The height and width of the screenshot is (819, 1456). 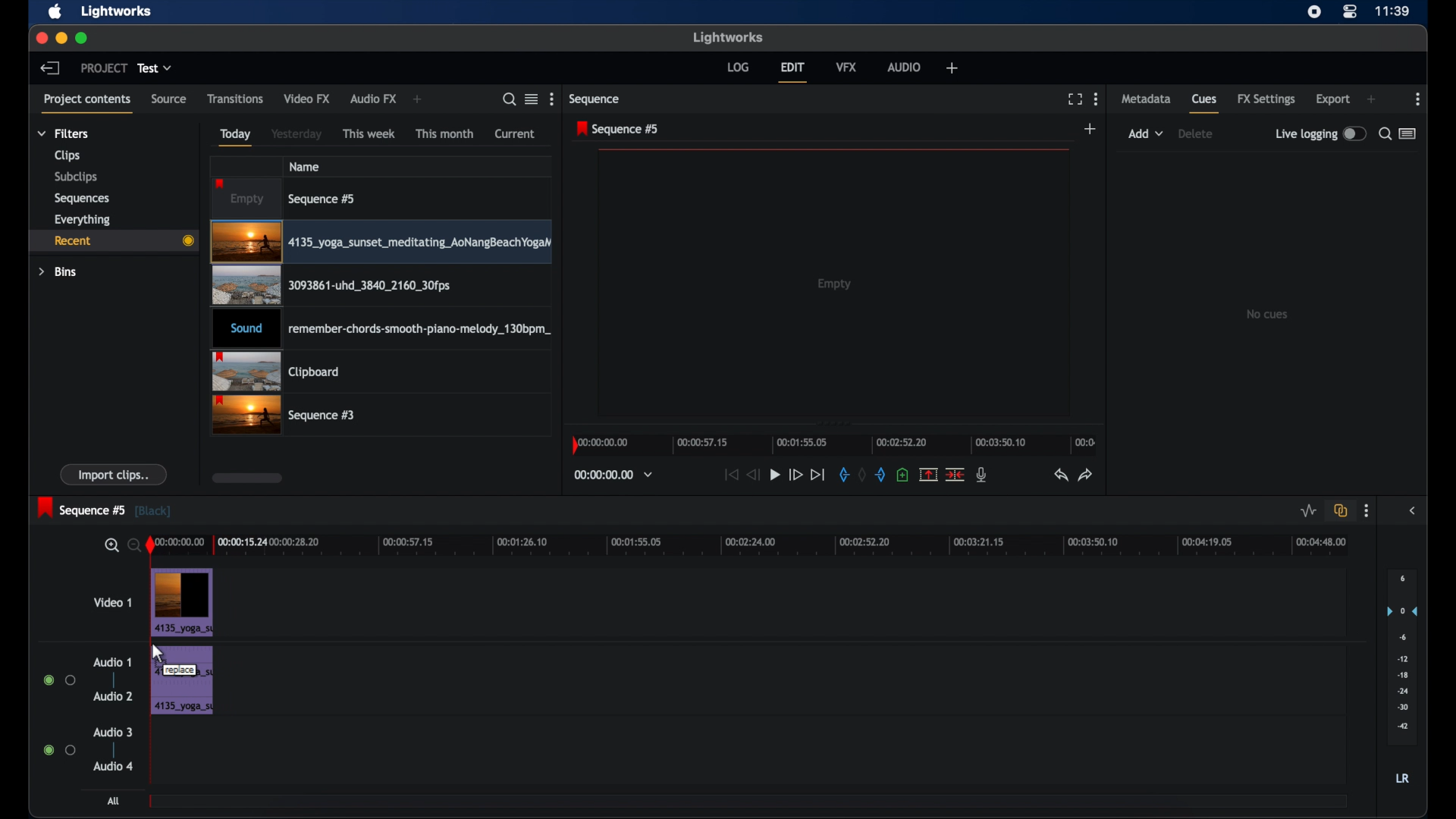 What do you see at coordinates (952, 67) in the screenshot?
I see `add` at bounding box center [952, 67].